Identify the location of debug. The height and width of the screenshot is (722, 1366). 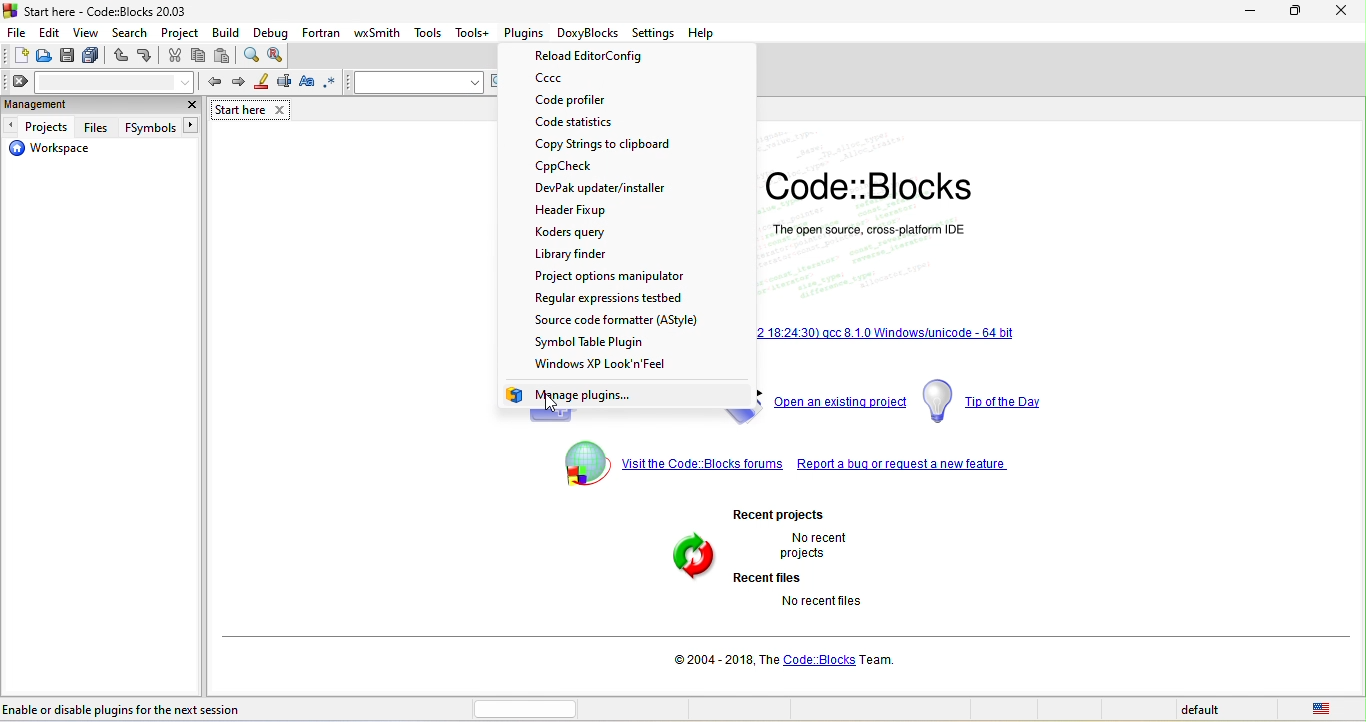
(273, 31).